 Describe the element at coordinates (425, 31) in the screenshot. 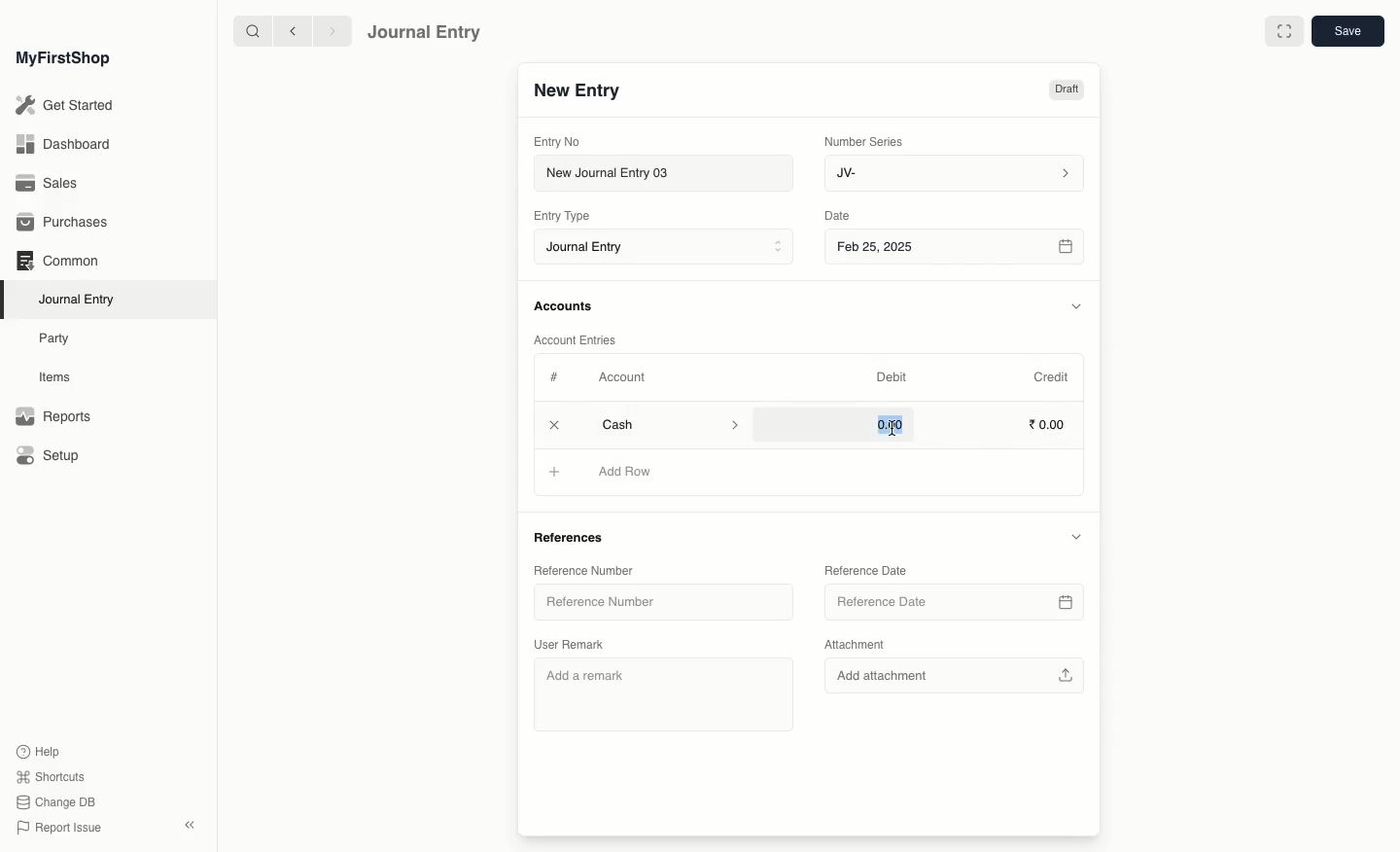

I see `Journal Entry` at that location.